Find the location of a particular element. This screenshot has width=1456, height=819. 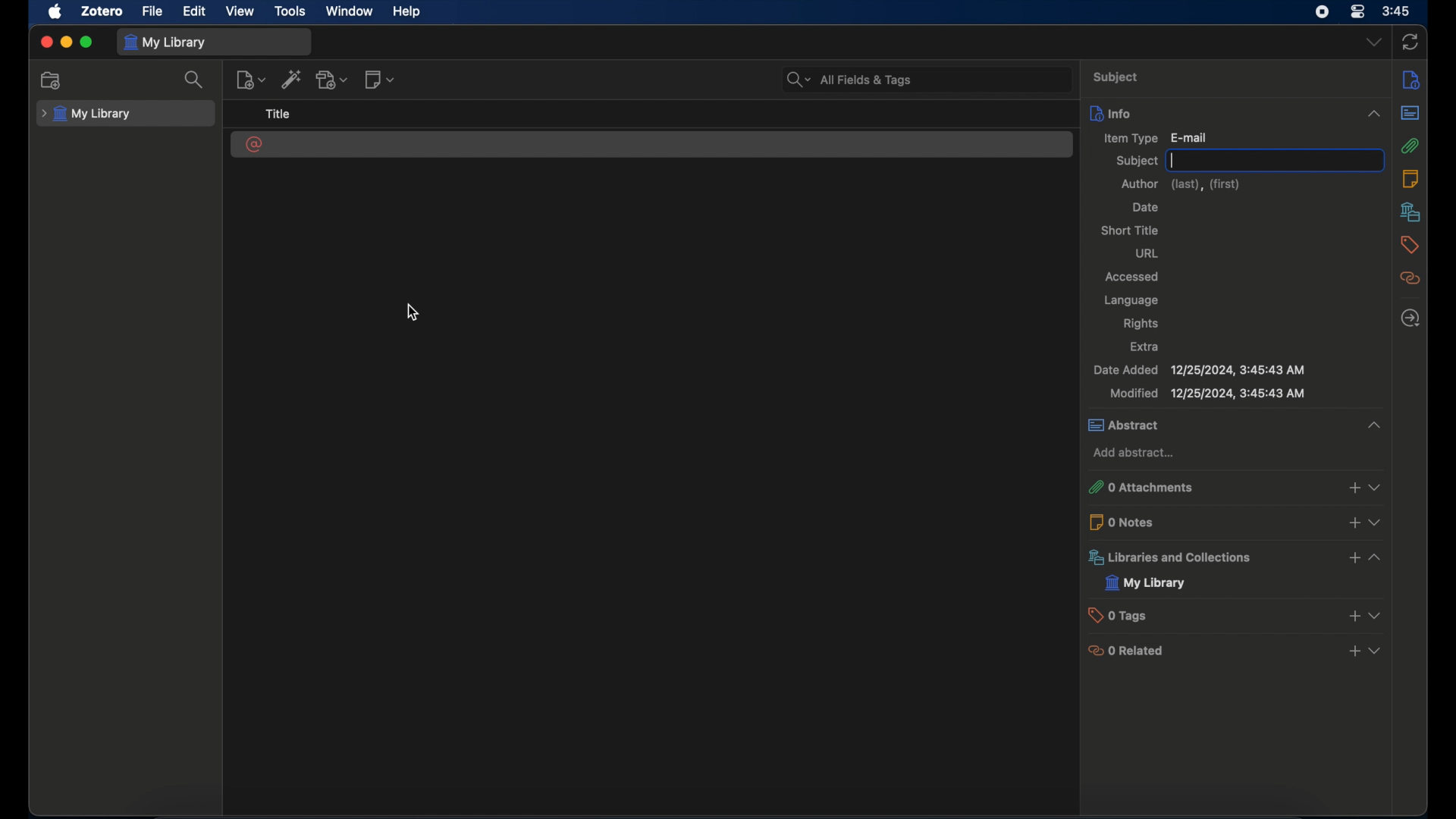

search bar is located at coordinates (848, 79).